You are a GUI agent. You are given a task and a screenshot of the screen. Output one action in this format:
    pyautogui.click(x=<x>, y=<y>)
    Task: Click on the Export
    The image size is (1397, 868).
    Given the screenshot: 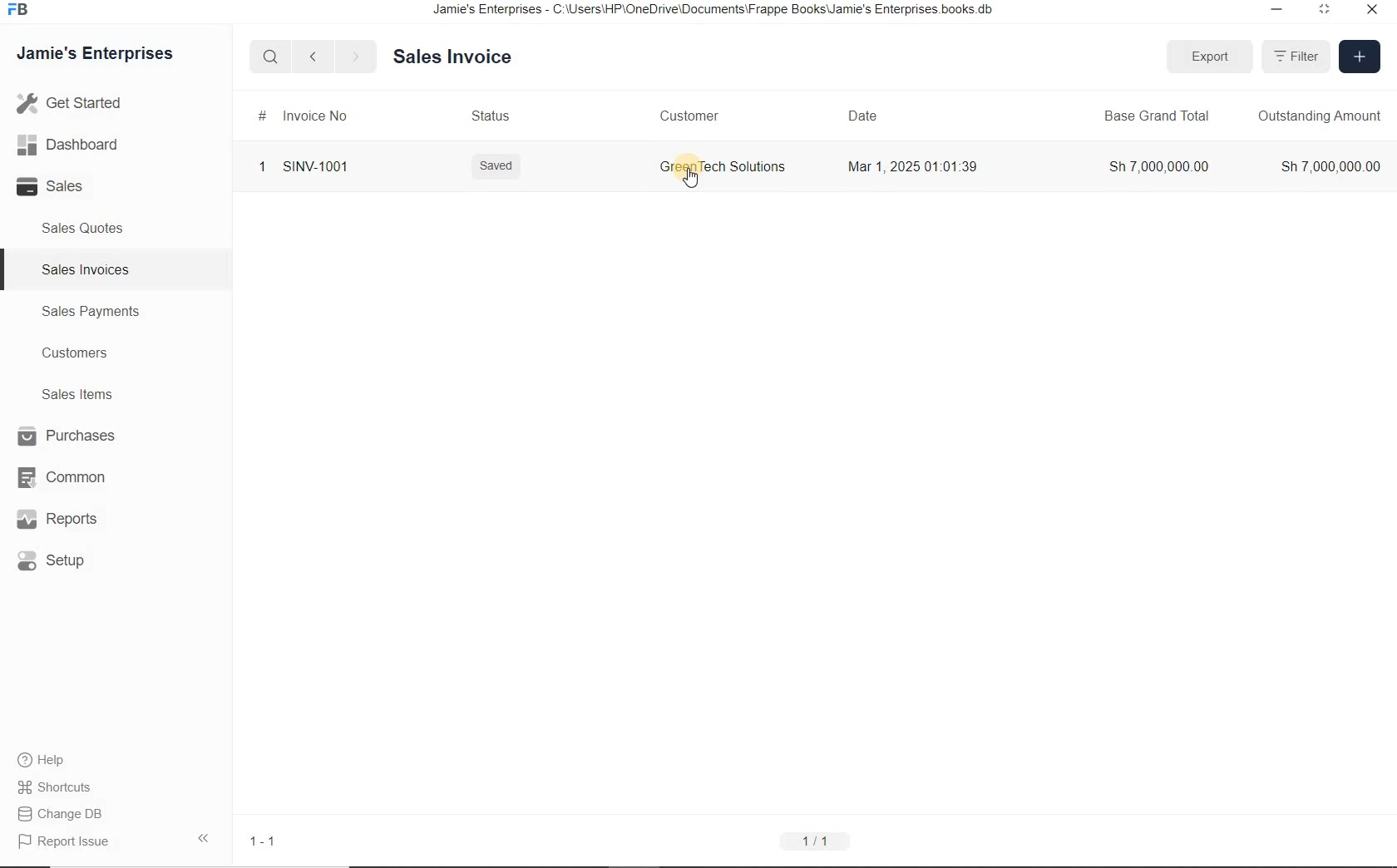 What is the action you would take?
    pyautogui.click(x=1212, y=57)
    